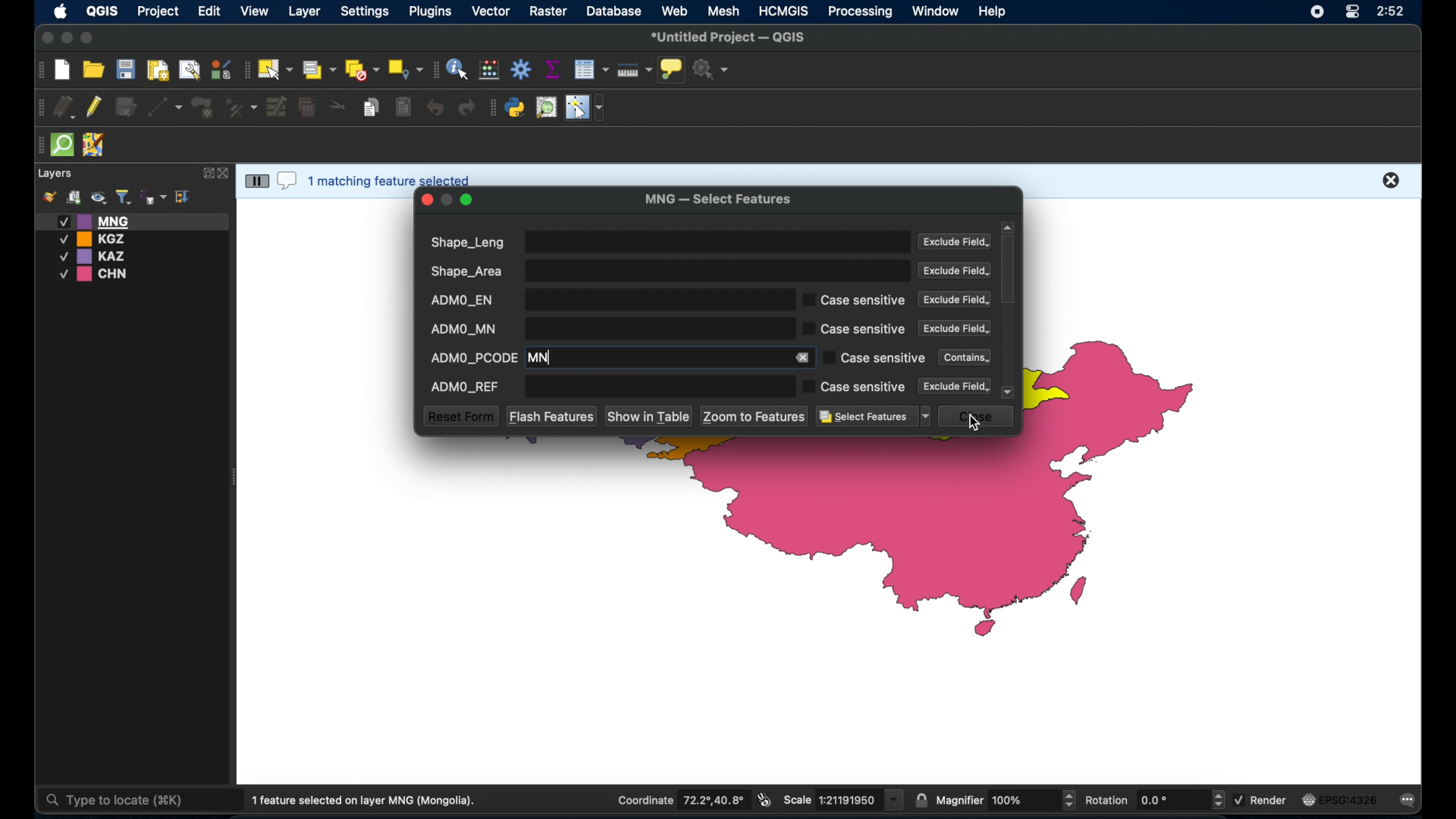  What do you see at coordinates (1009, 392) in the screenshot?
I see `scroll down arrow` at bounding box center [1009, 392].